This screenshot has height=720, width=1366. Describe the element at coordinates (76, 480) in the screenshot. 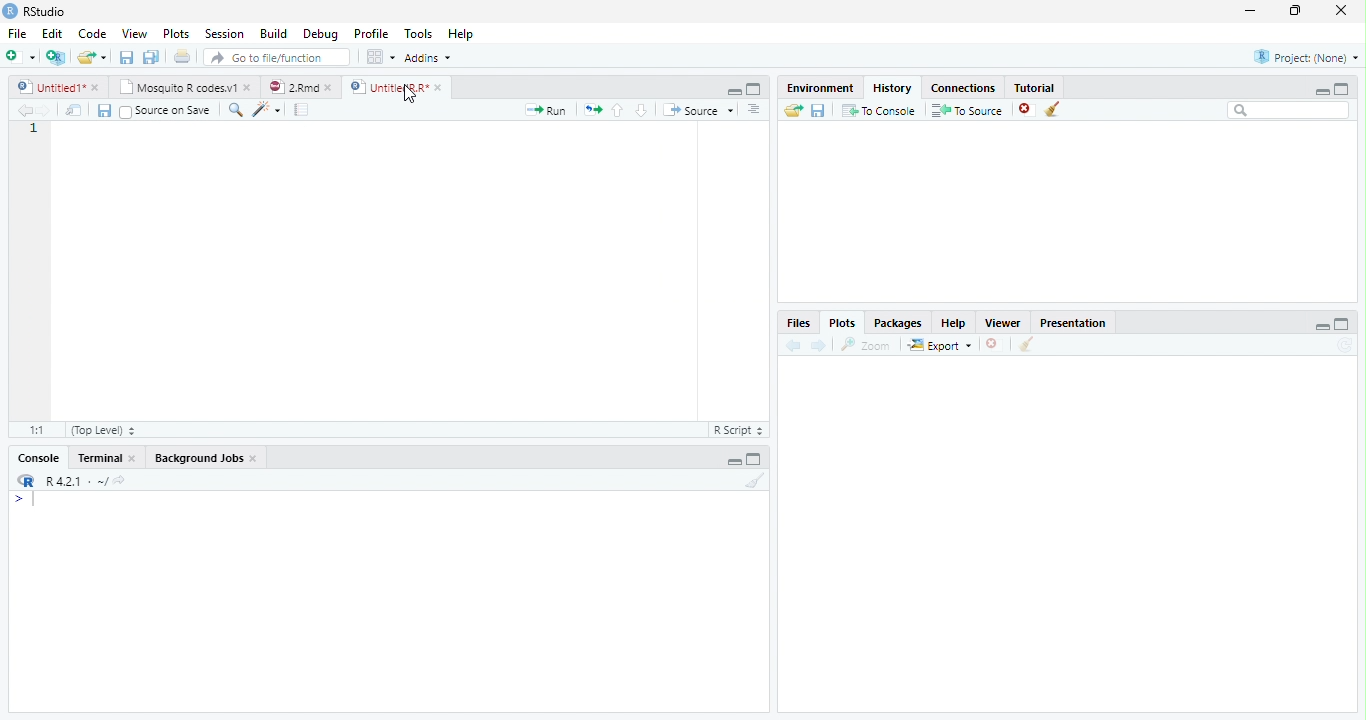

I see `R 4.2.1 . ~/` at that location.